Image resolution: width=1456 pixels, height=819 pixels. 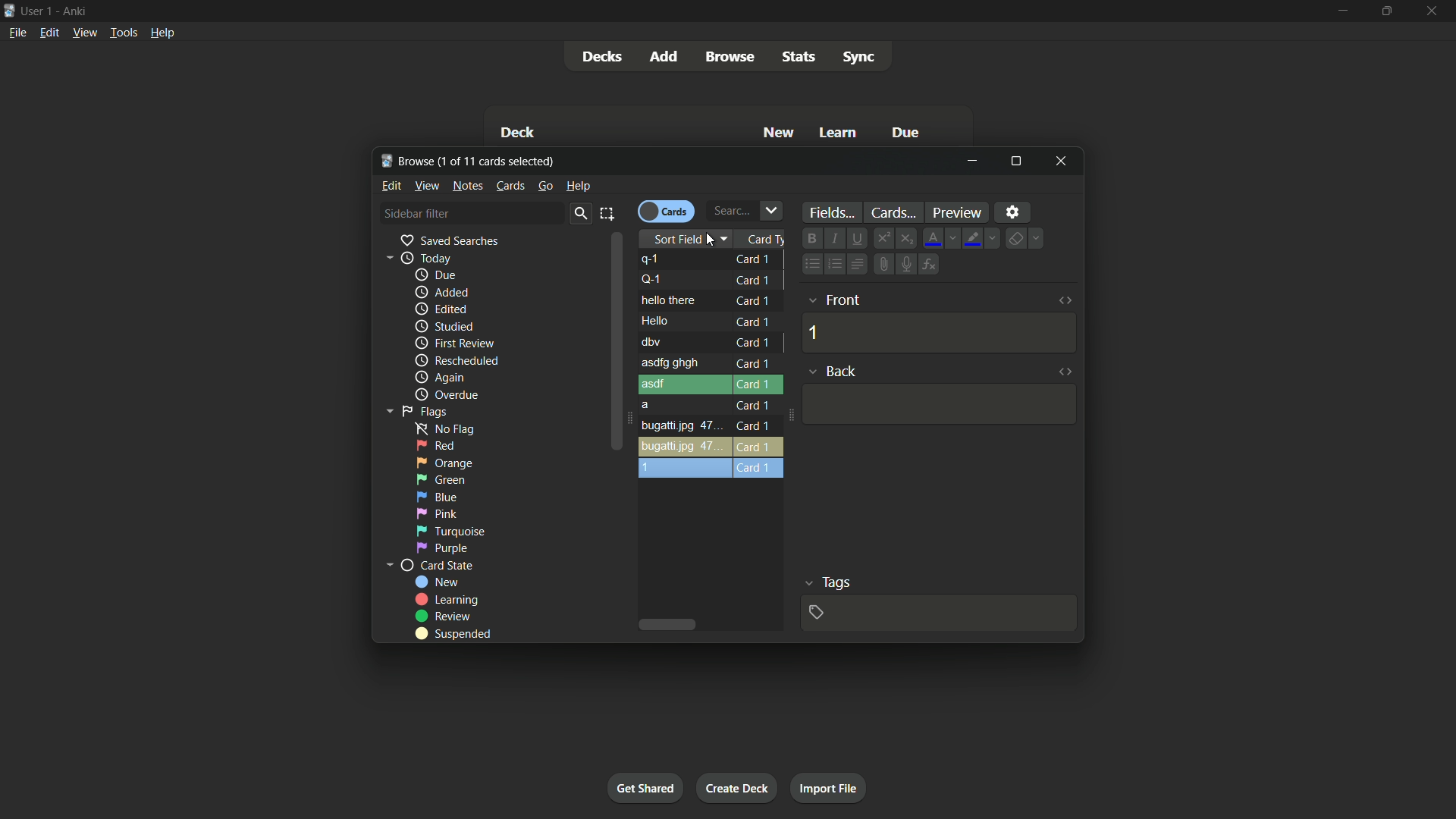 What do you see at coordinates (907, 237) in the screenshot?
I see `subscript` at bounding box center [907, 237].